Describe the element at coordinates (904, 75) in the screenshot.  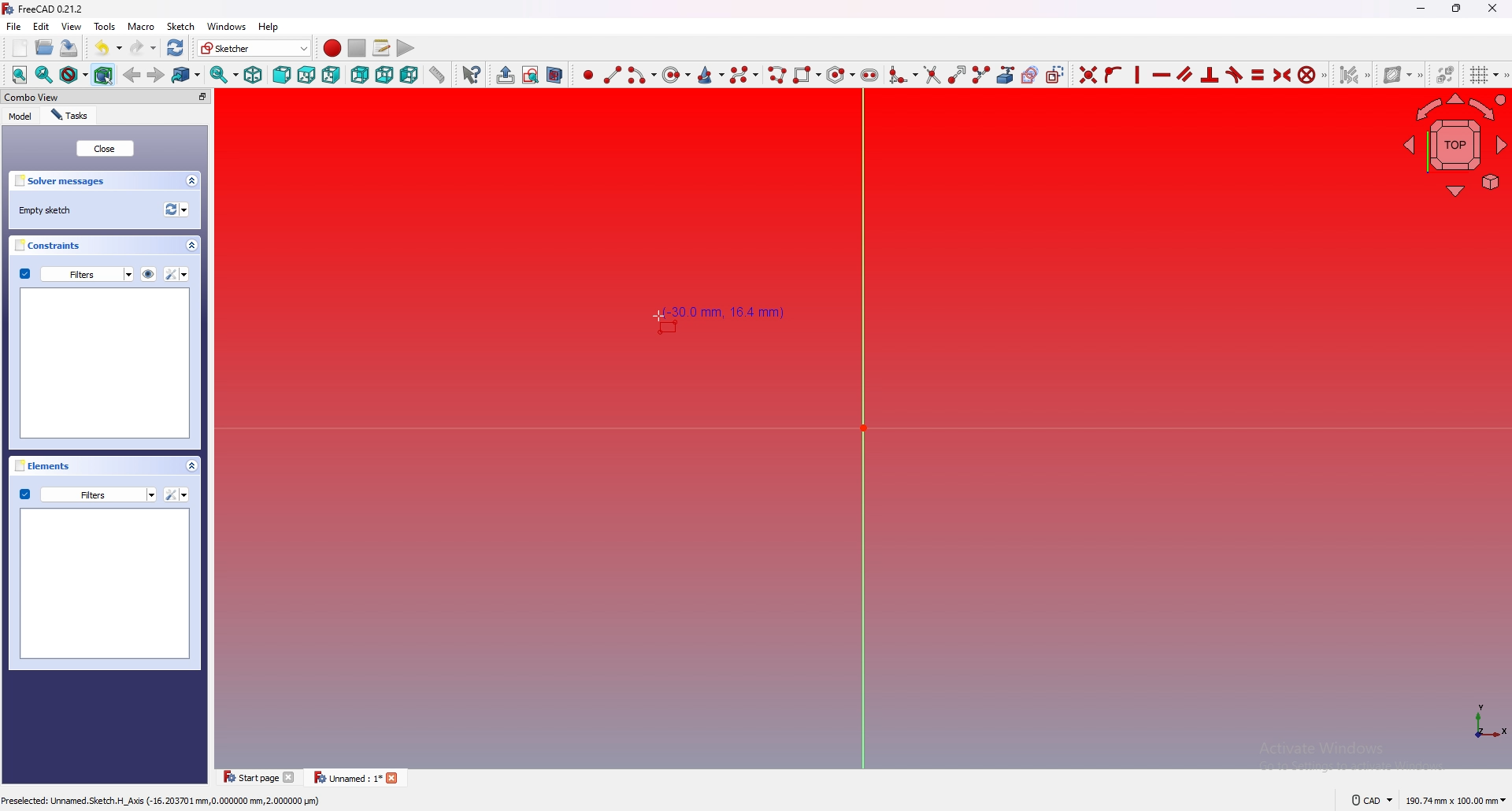
I see `create fillet` at that location.